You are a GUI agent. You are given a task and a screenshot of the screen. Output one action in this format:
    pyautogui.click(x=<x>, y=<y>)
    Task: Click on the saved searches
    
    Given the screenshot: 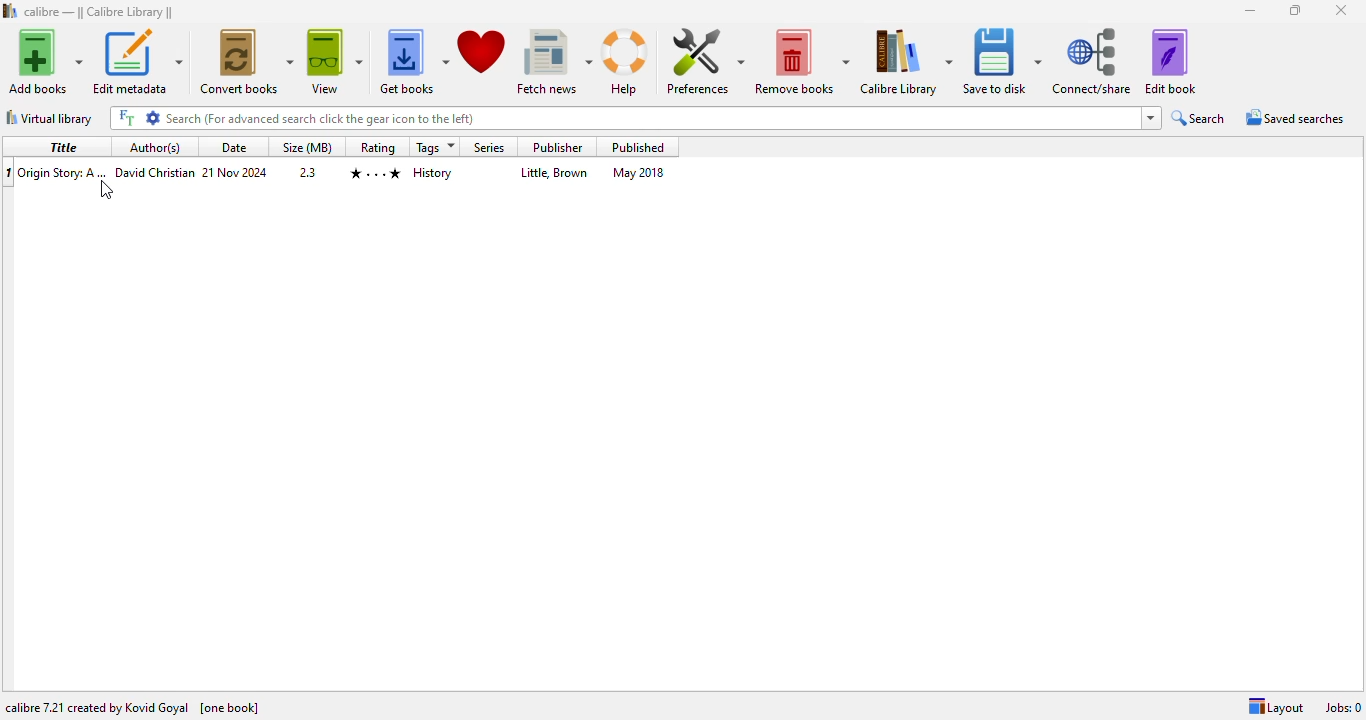 What is the action you would take?
    pyautogui.click(x=1295, y=116)
    